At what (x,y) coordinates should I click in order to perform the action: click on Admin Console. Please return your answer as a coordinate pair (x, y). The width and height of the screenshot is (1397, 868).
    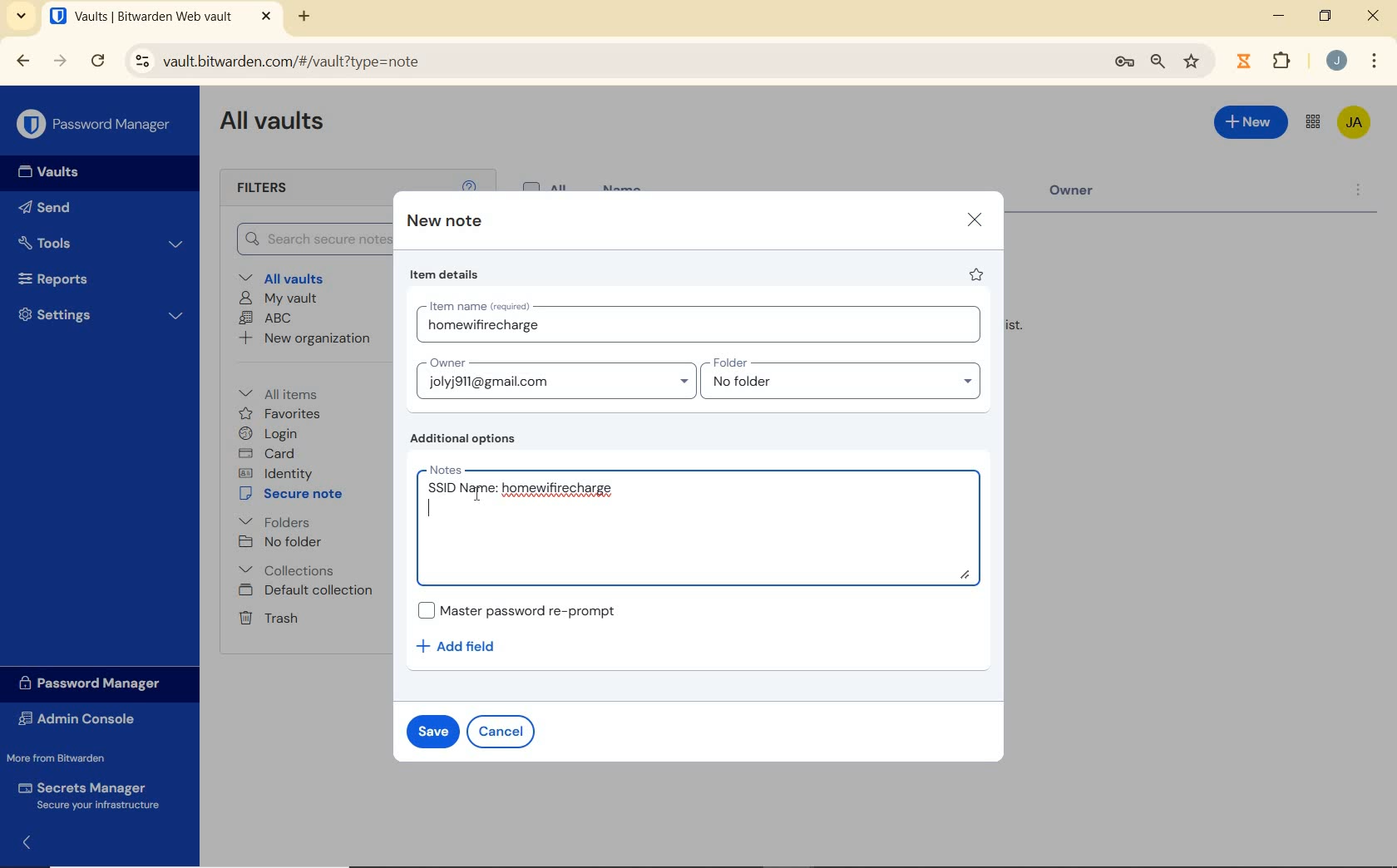
    Looking at the image, I should click on (86, 718).